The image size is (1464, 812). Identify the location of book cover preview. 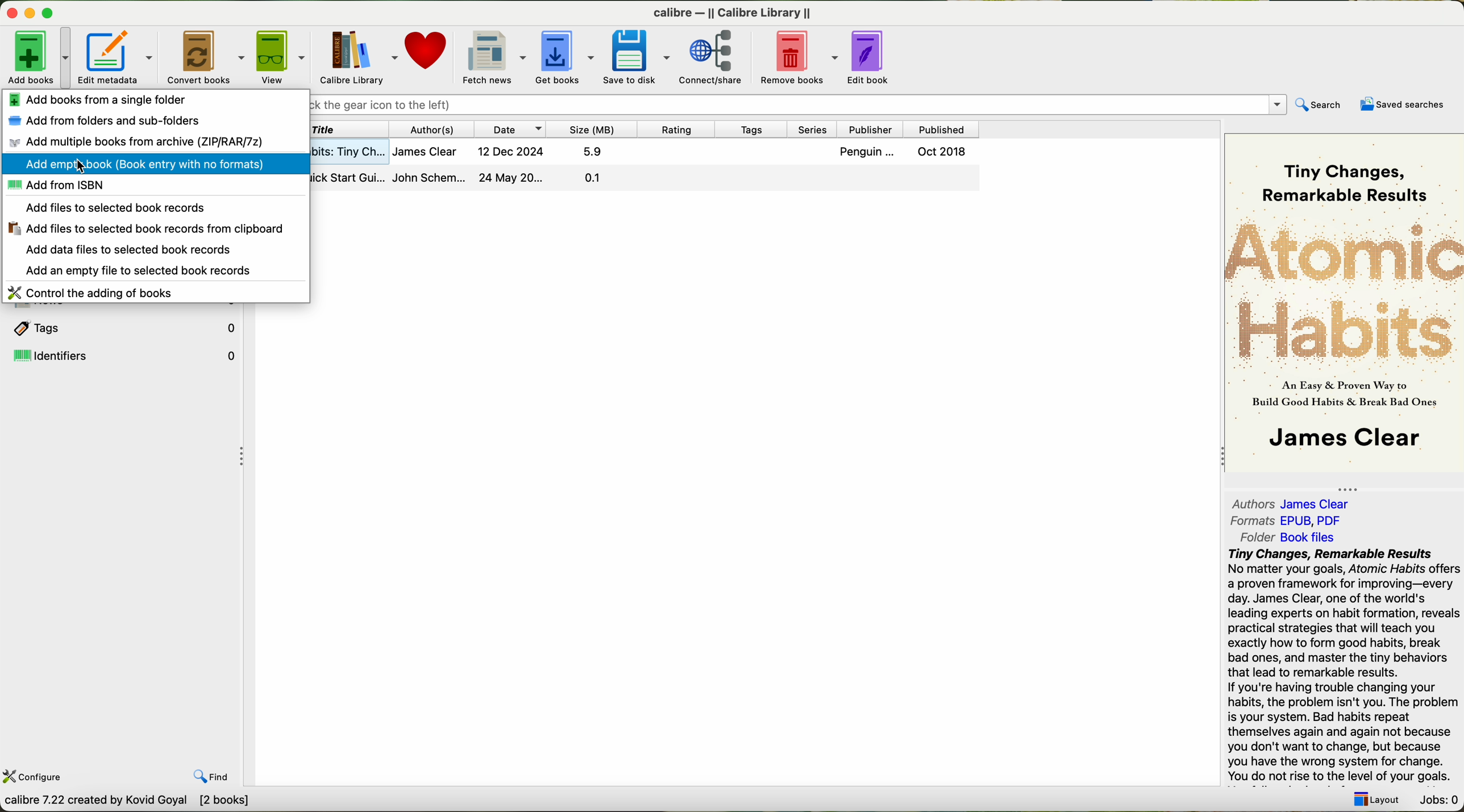
(1345, 302).